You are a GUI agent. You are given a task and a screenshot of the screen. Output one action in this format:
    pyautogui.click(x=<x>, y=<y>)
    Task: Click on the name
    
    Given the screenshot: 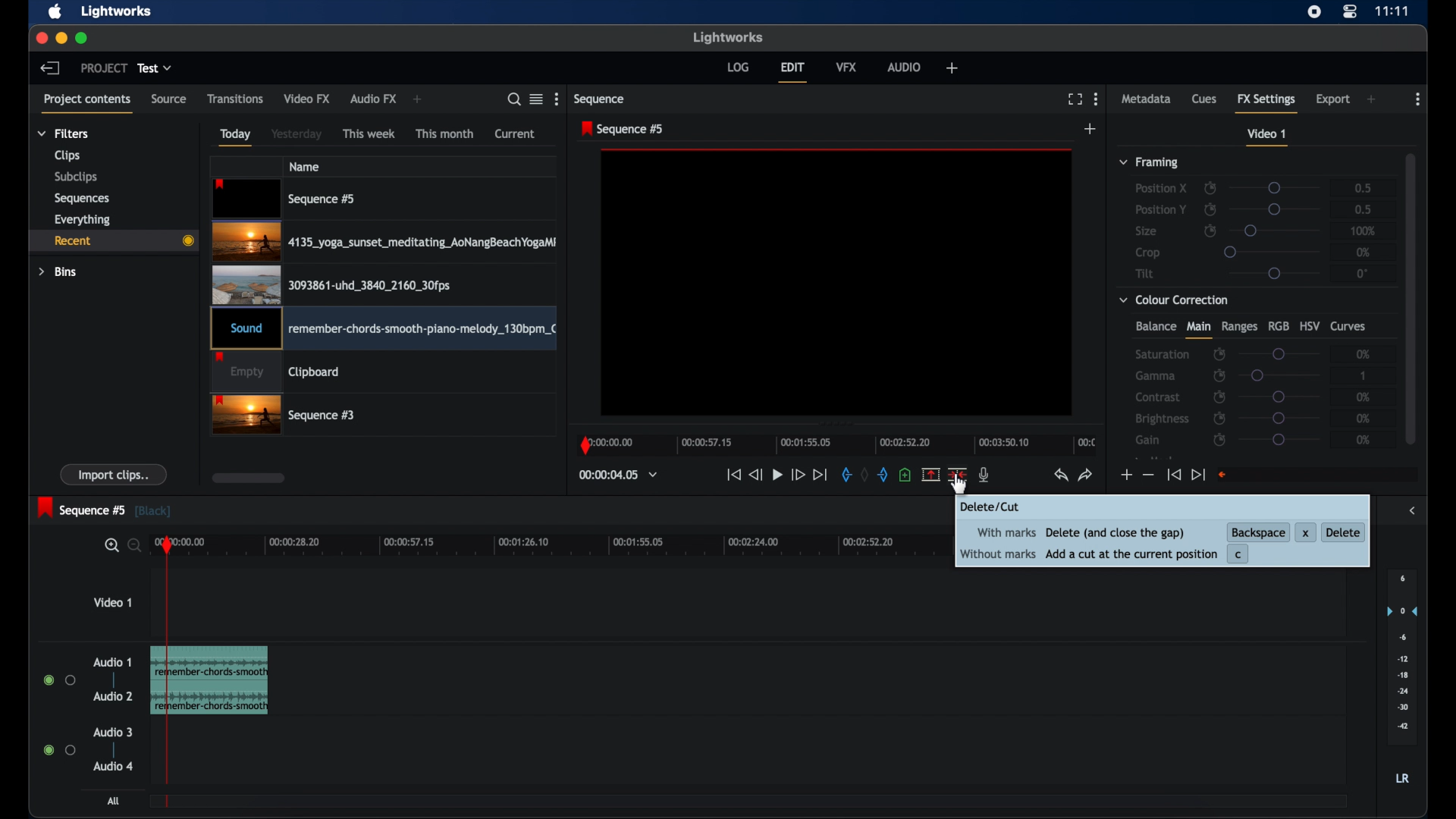 What is the action you would take?
    pyautogui.click(x=304, y=166)
    